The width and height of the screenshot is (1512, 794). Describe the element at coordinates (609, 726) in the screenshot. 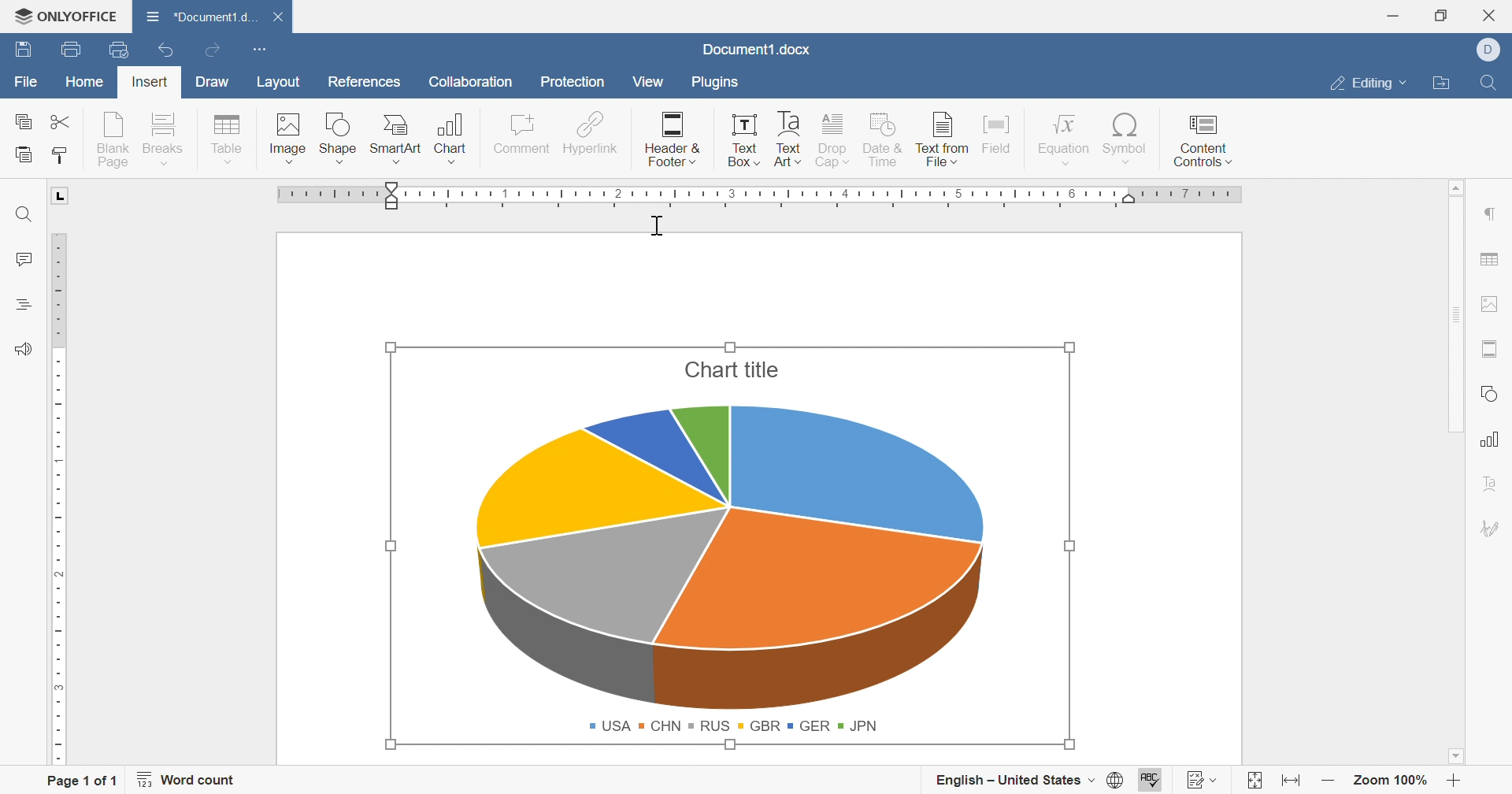

I see `USA` at that location.